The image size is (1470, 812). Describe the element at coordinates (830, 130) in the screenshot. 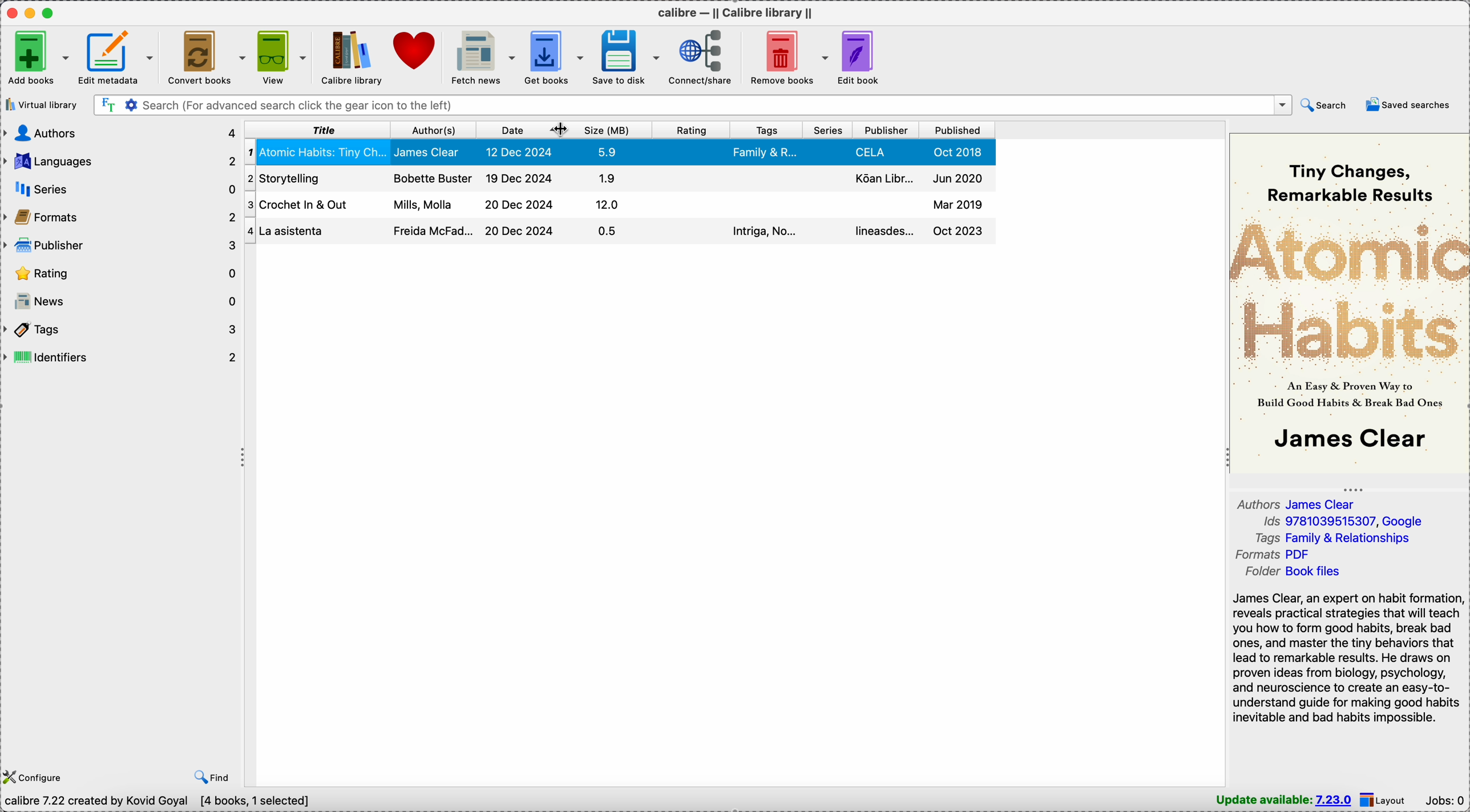

I see `series` at that location.